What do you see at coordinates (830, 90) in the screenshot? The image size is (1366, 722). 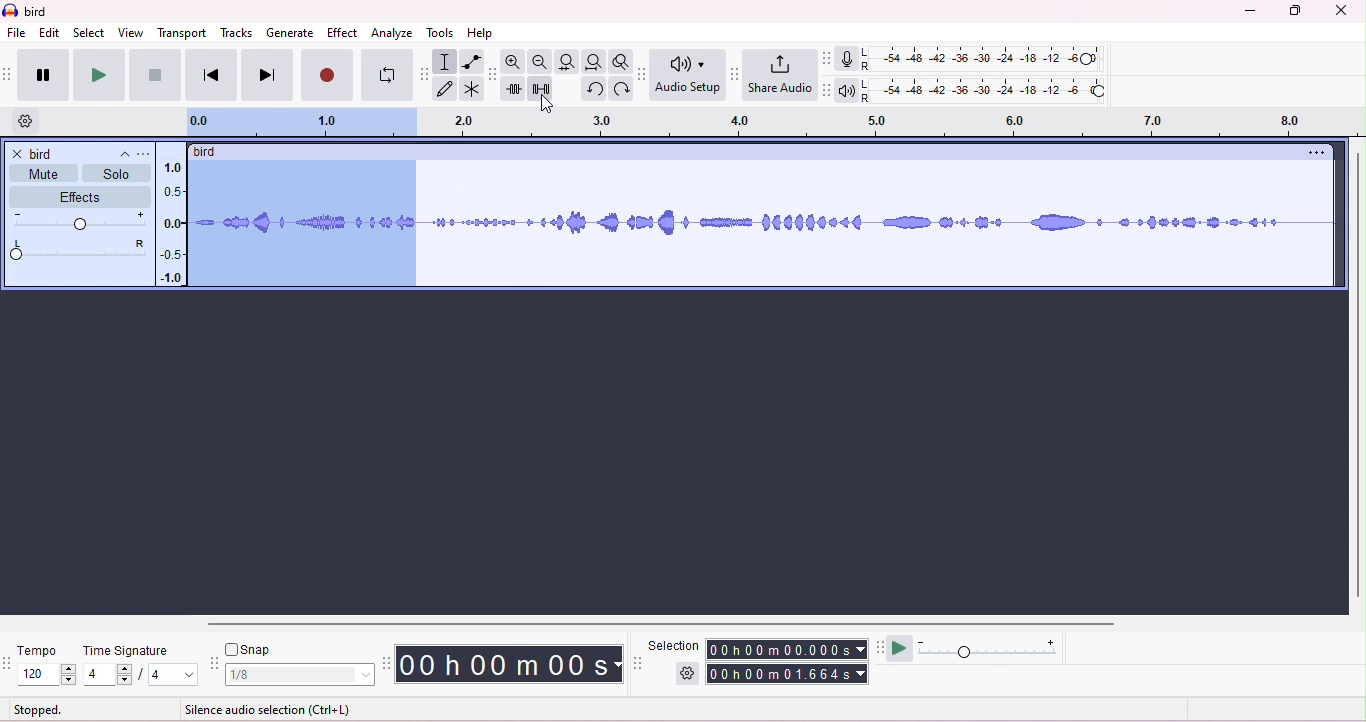 I see `playback meter tool bar` at bounding box center [830, 90].